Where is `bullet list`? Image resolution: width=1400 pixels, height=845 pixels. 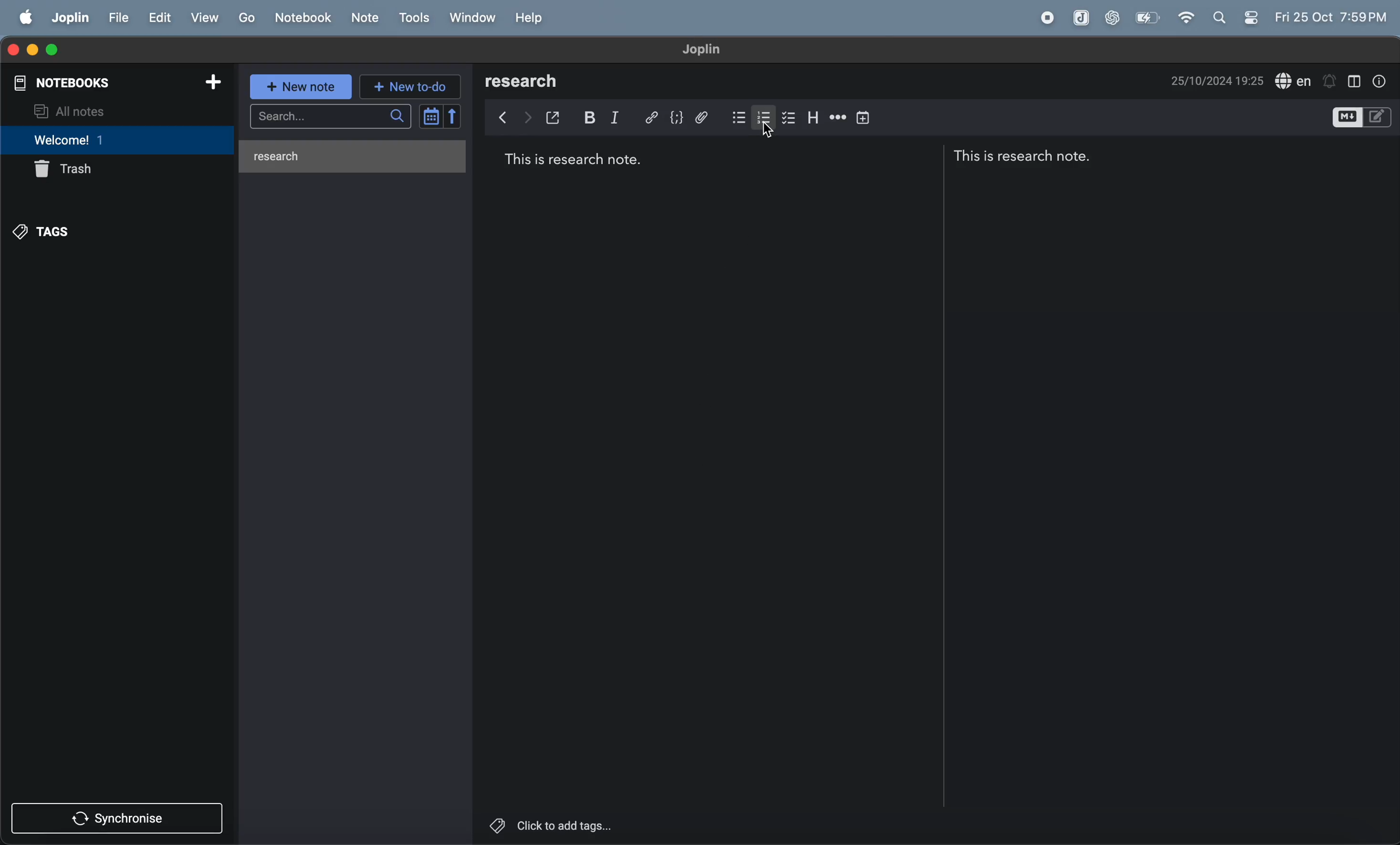 bullet list is located at coordinates (736, 116).